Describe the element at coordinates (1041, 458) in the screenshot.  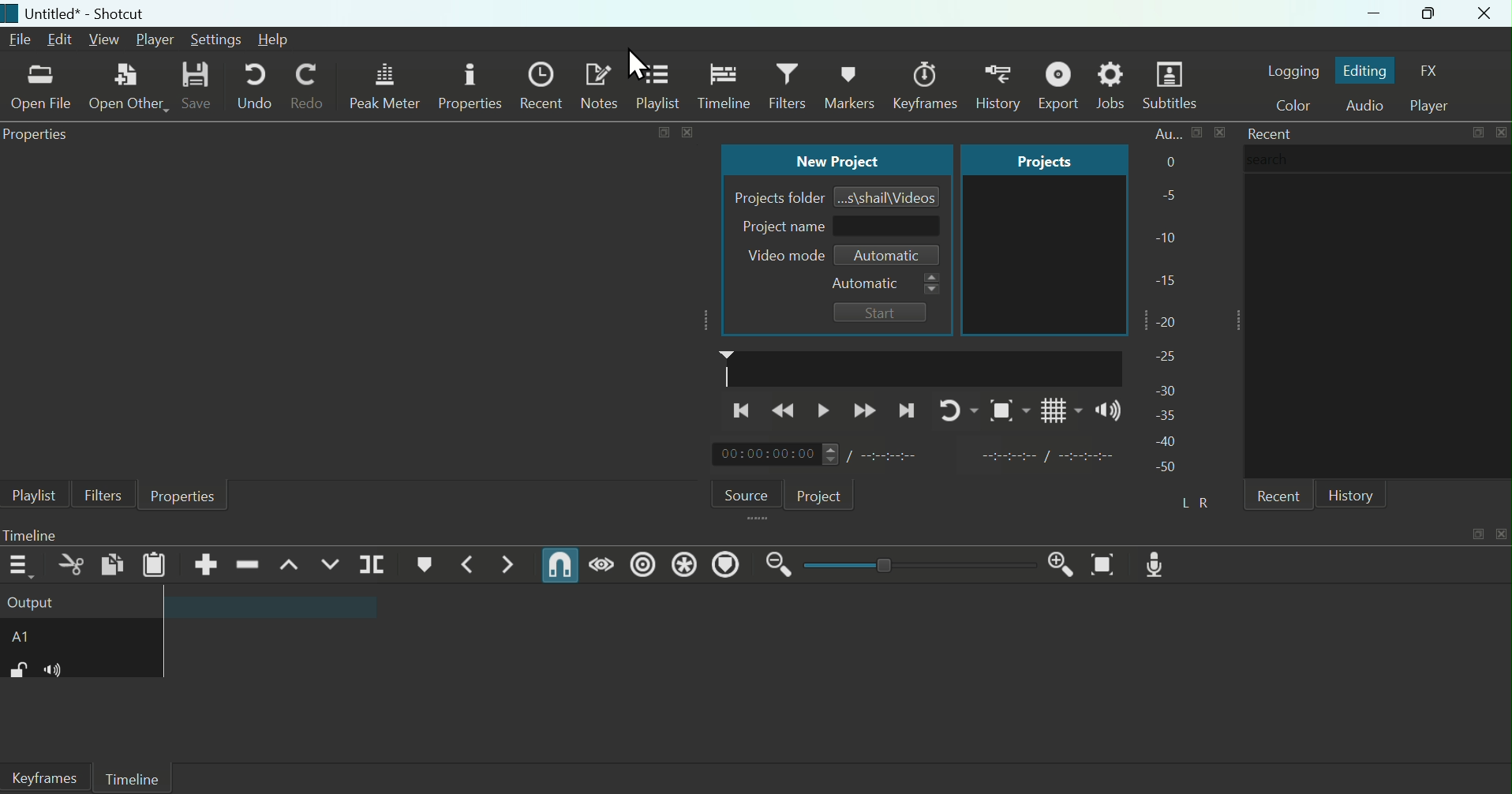
I see `in point` at that location.